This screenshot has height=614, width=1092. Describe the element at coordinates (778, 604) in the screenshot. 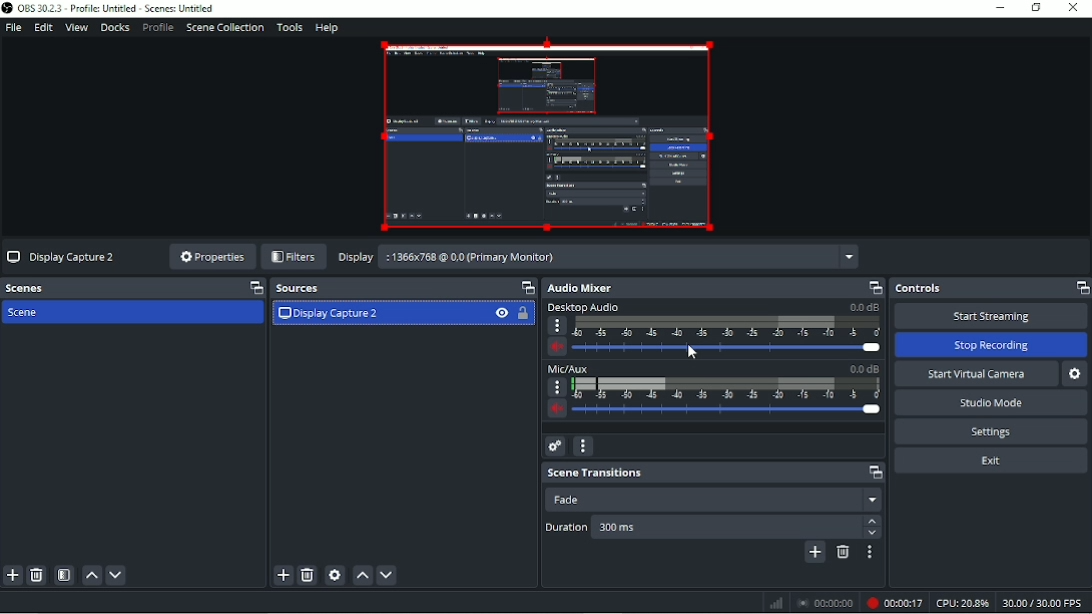

I see `Graph` at that location.